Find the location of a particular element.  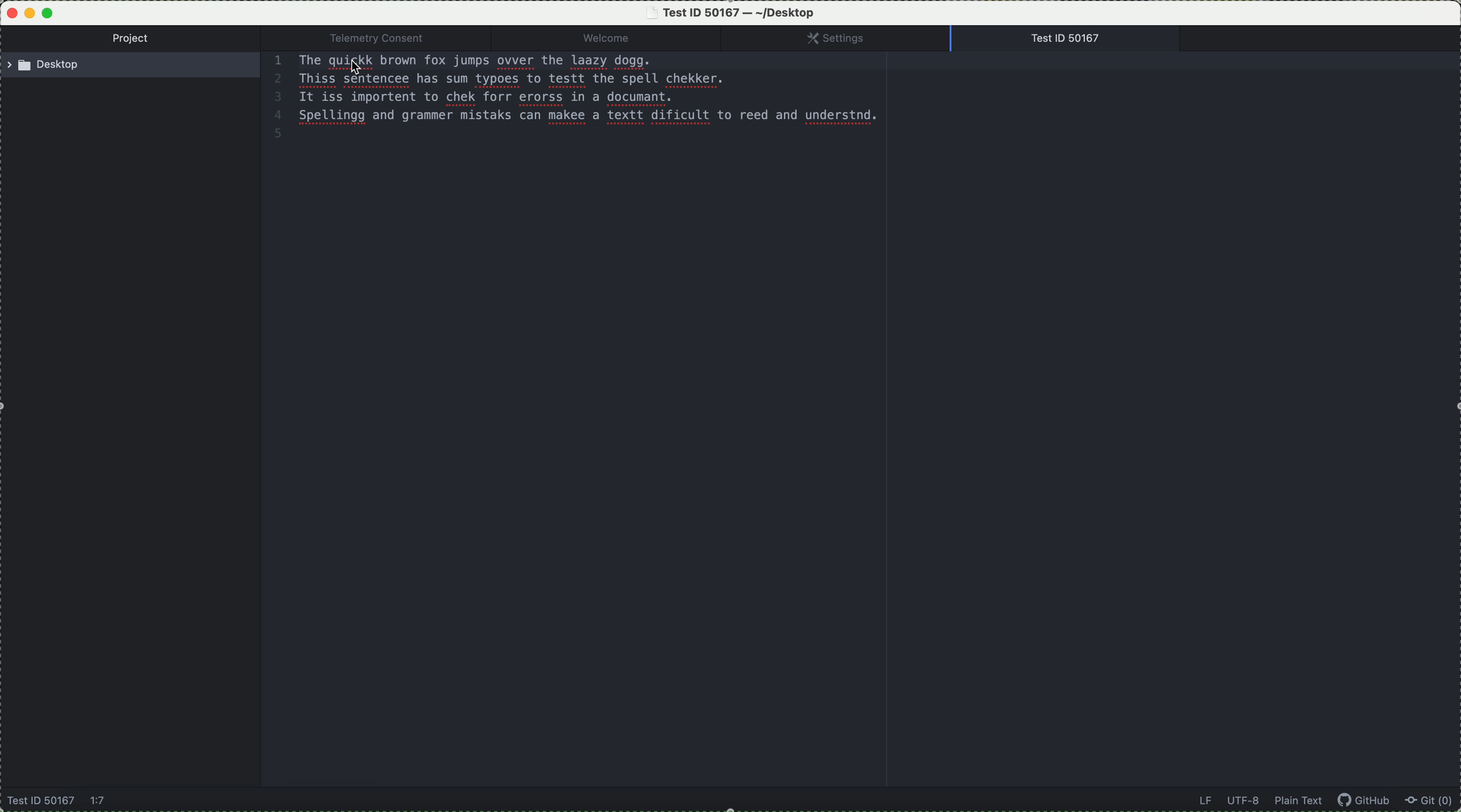

project is located at coordinates (134, 40).